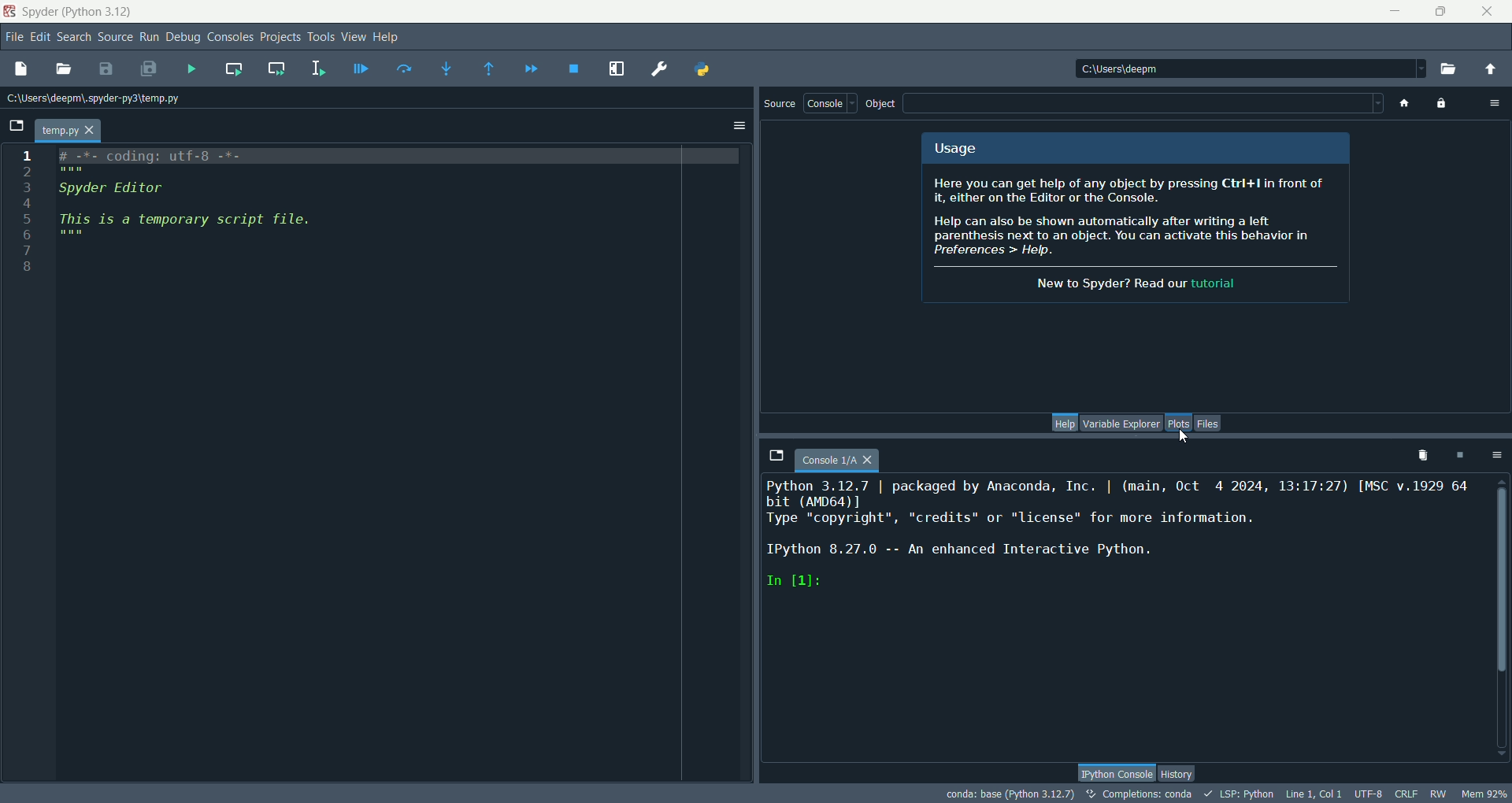 The height and width of the screenshot is (803, 1512). I want to click on LSP:Python, so click(1240, 794).